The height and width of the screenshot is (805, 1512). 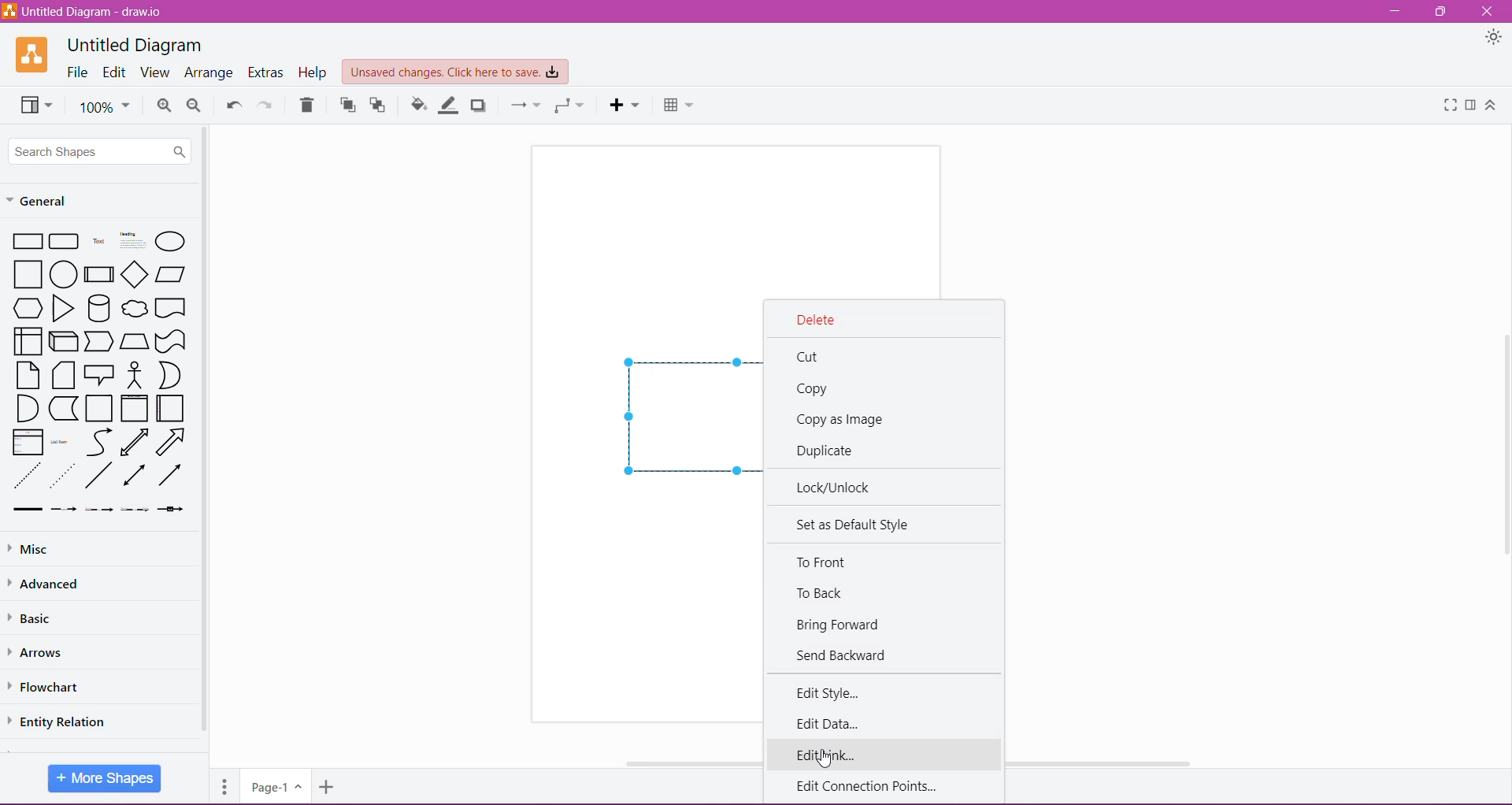 I want to click on More Shapes, so click(x=105, y=778).